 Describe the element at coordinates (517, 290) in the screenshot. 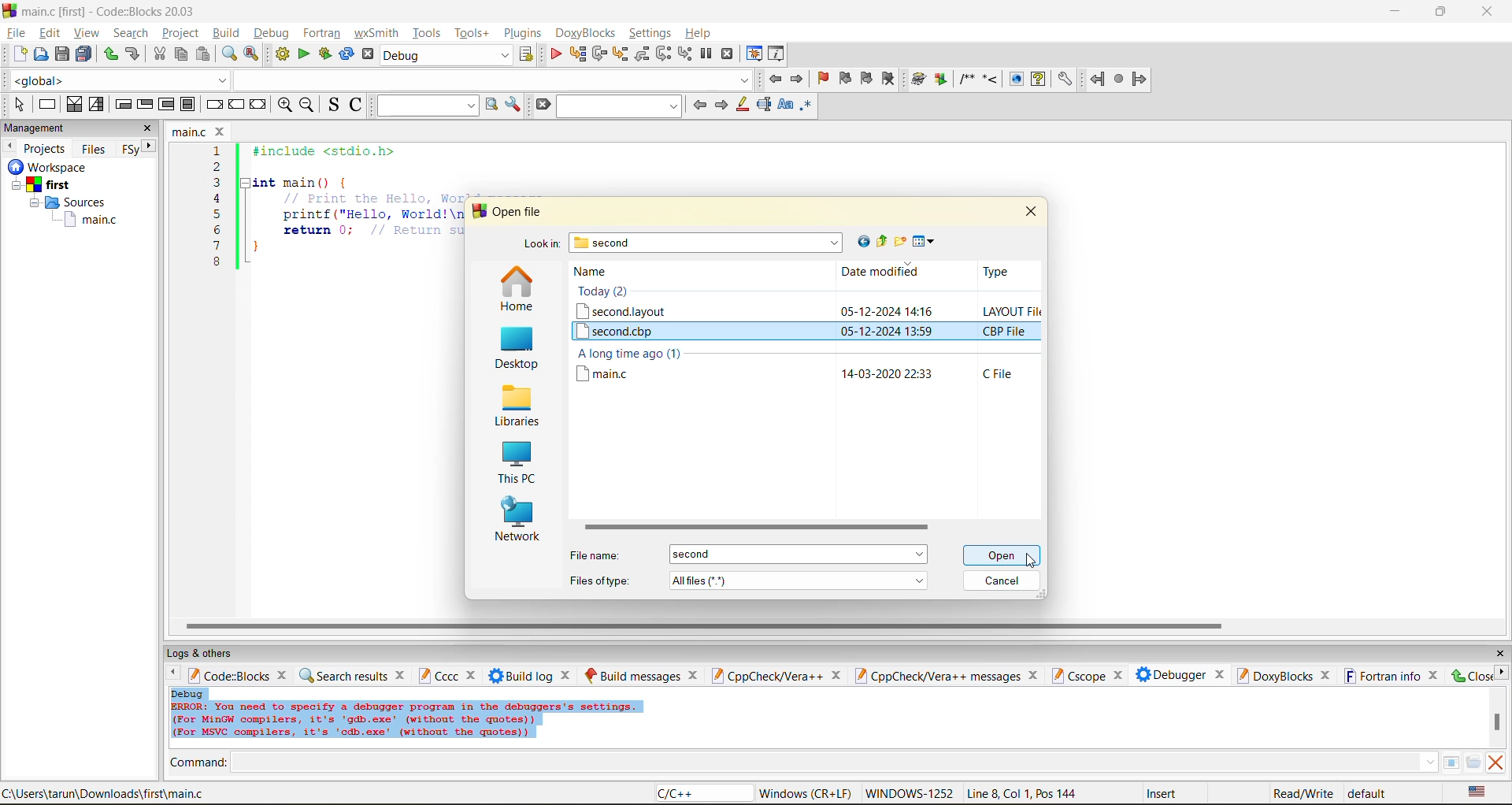

I see `home` at that location.